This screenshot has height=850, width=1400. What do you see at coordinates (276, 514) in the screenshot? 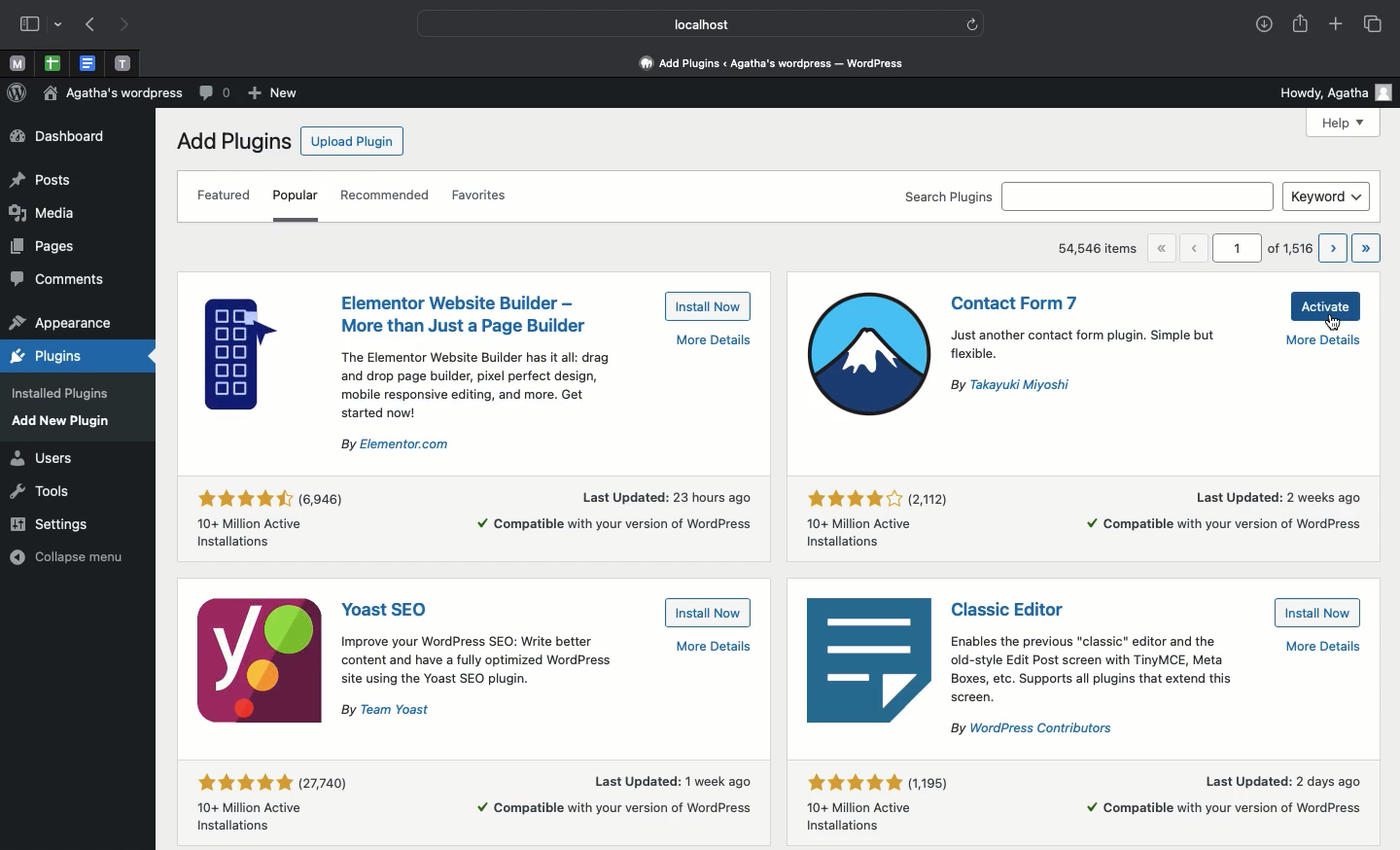
I see `Rating` at bounding box center [276, 514].